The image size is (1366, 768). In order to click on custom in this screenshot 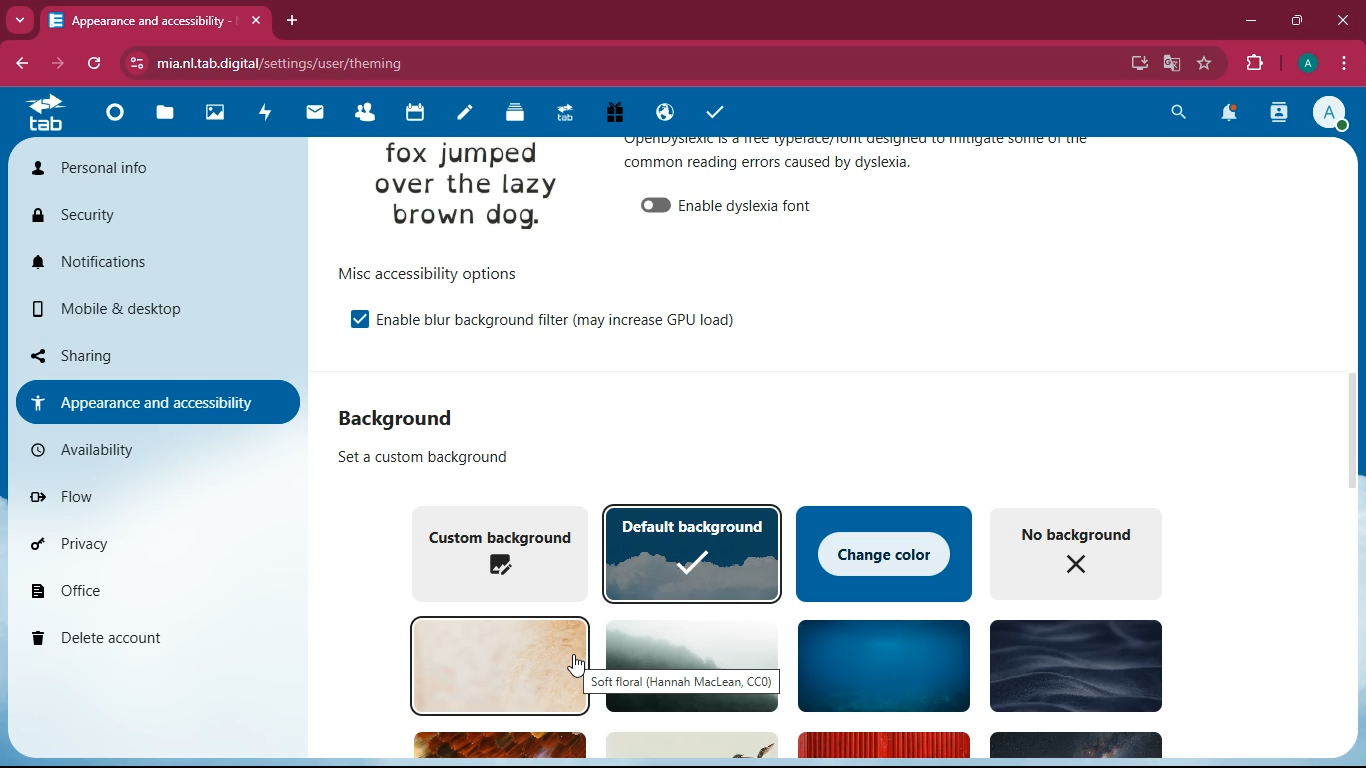, I will do `click(495, 552)`.